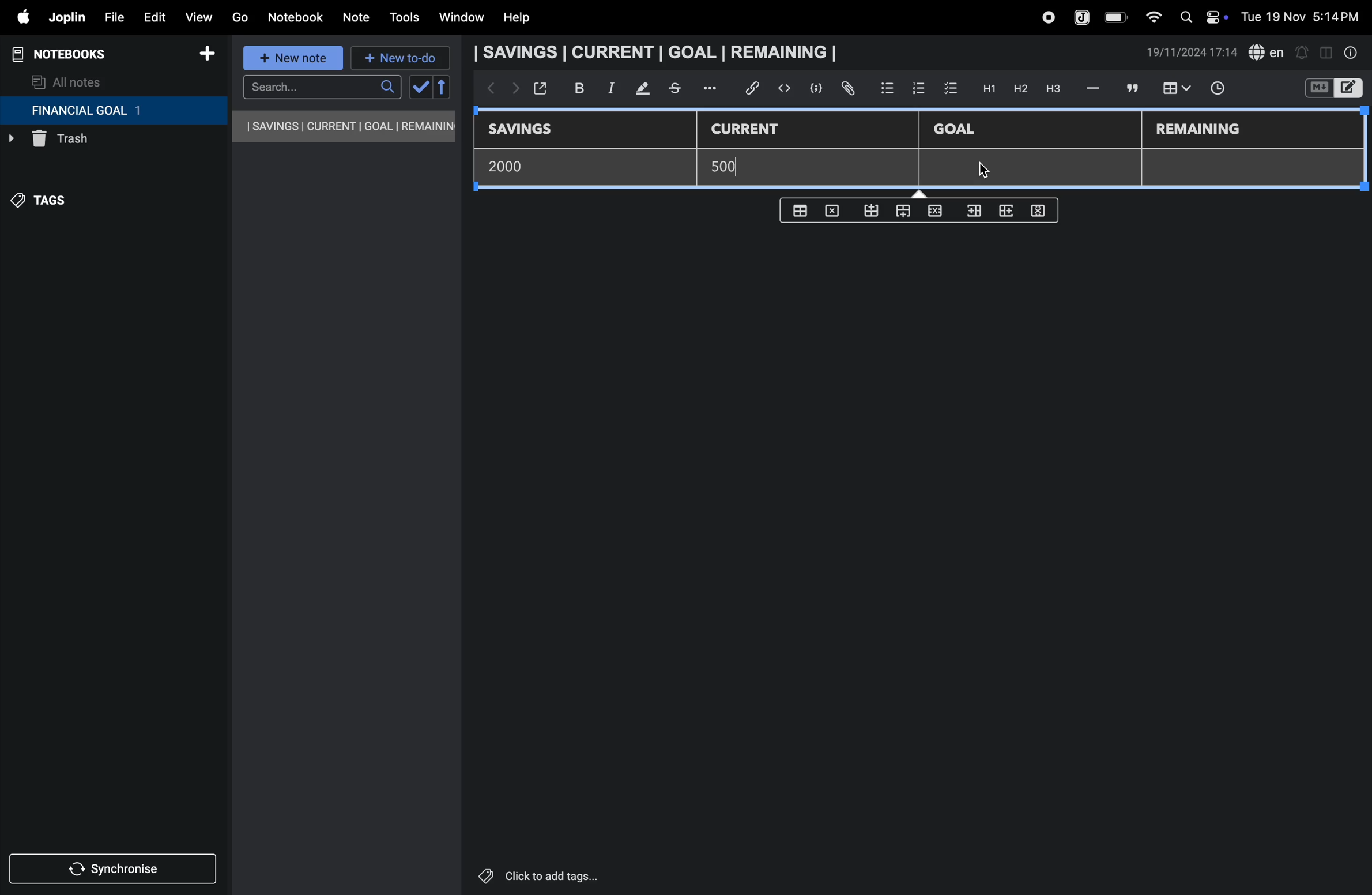  Describe the element at coordinates (1095, 88) in the screenshot. I see `hifen` at that location.